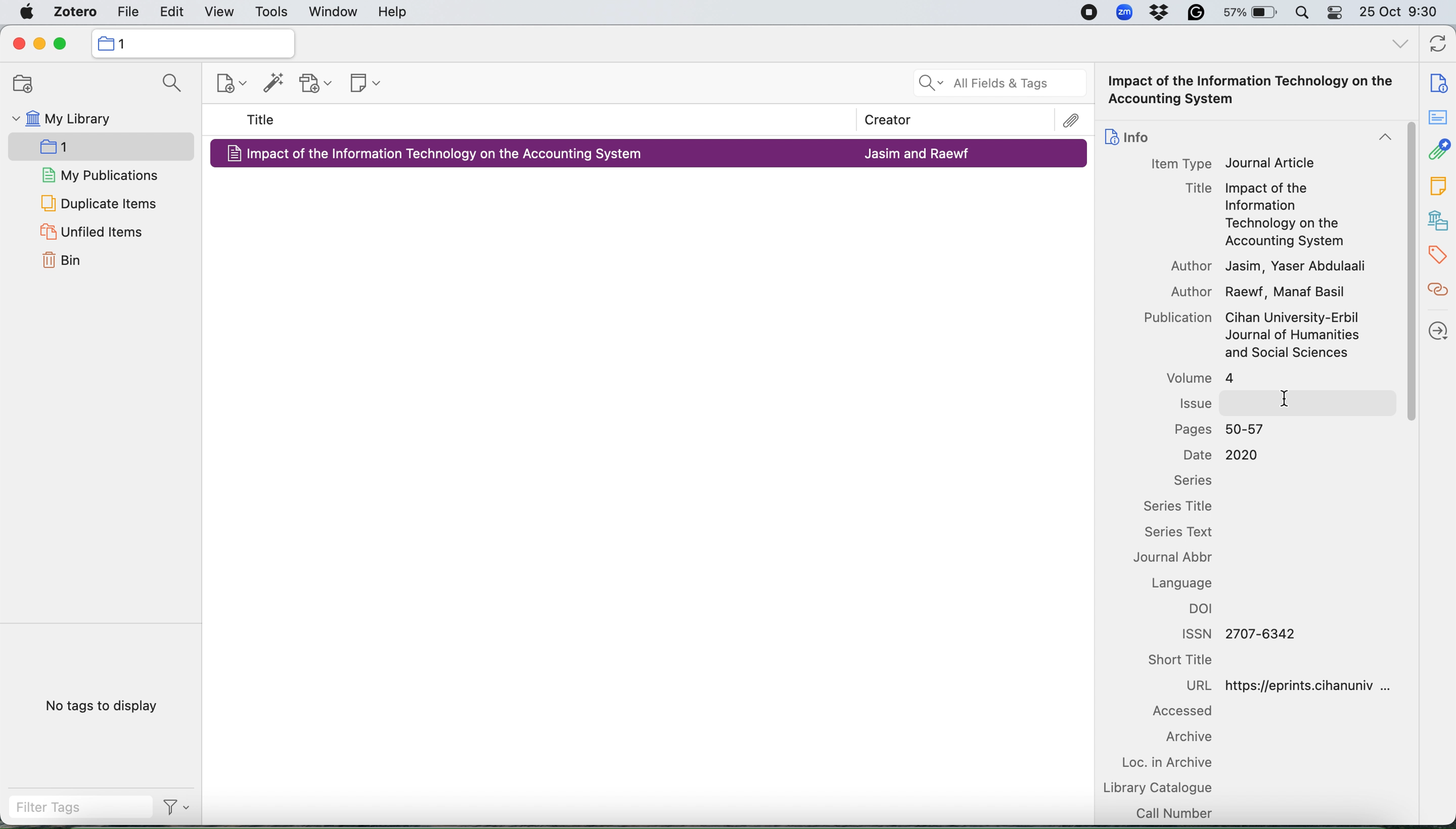 This screenshot has width=1456, height=829. What do you see at coordinates (1197, 187) in the screenshot?
I see `article title` at bounding box center [1197, 187].